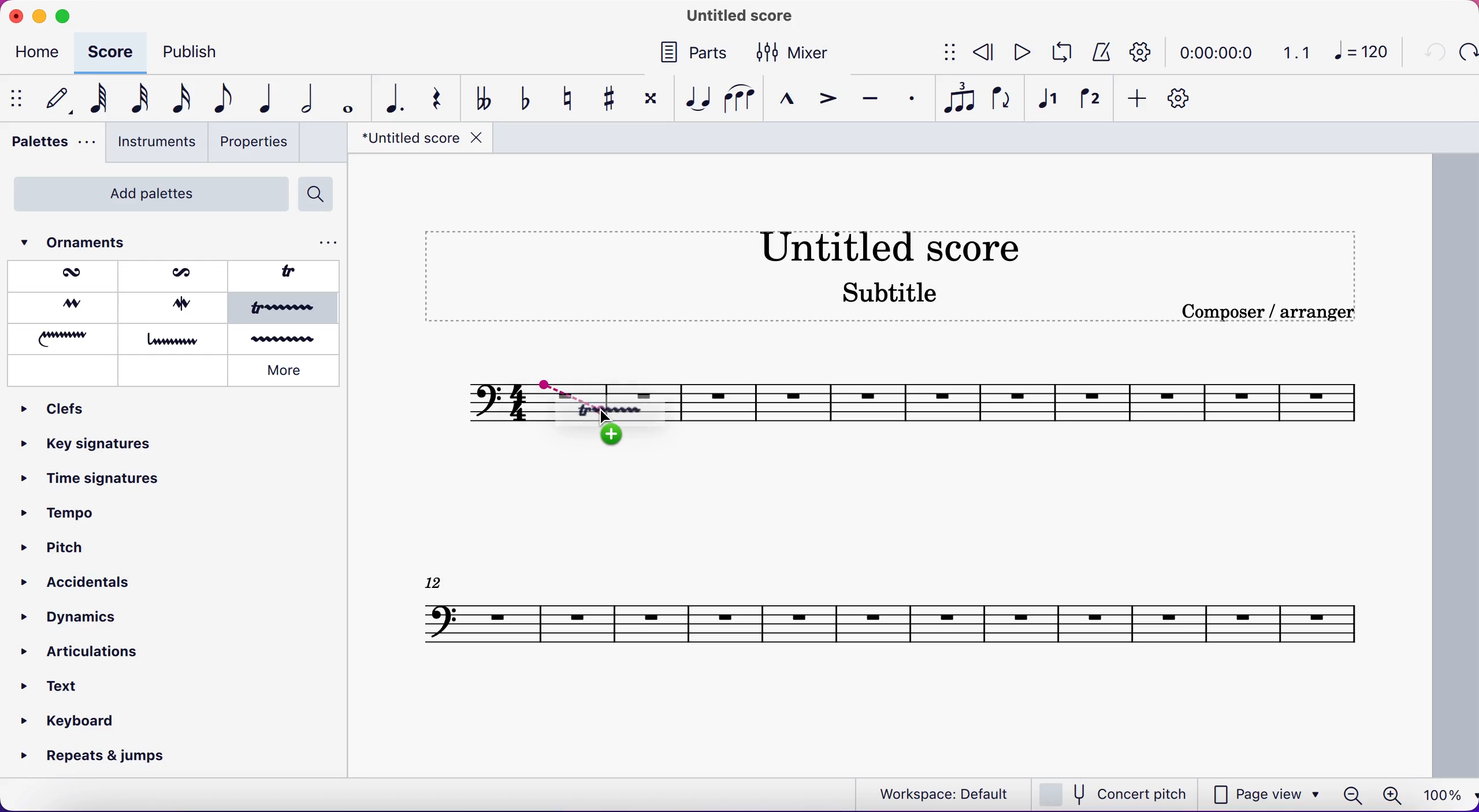 This screenshot has height=812, width=1479. What do you see at coordinates (92, 486) in the screenshot?
I see `time signatures` at bounding box center [92, 486].